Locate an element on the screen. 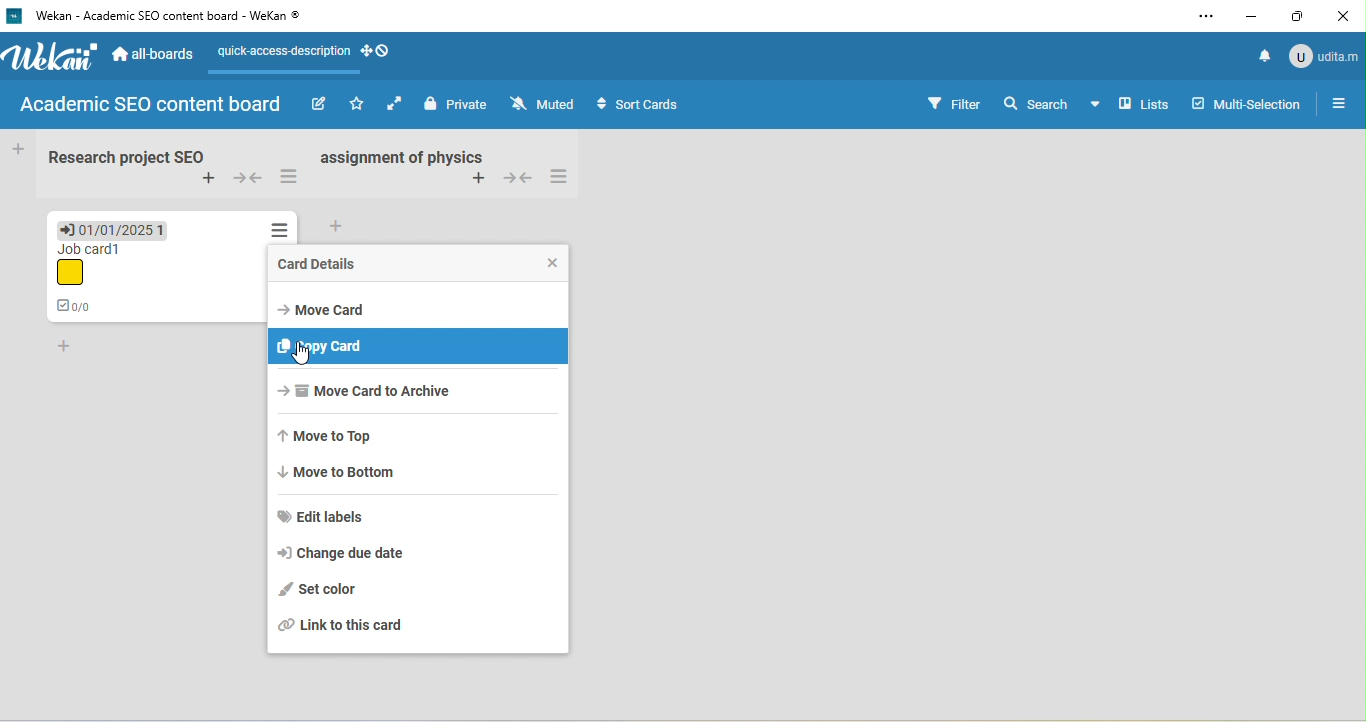 This screenshot has height=722, width=1366. collapse is located at coordinates (518, 176).